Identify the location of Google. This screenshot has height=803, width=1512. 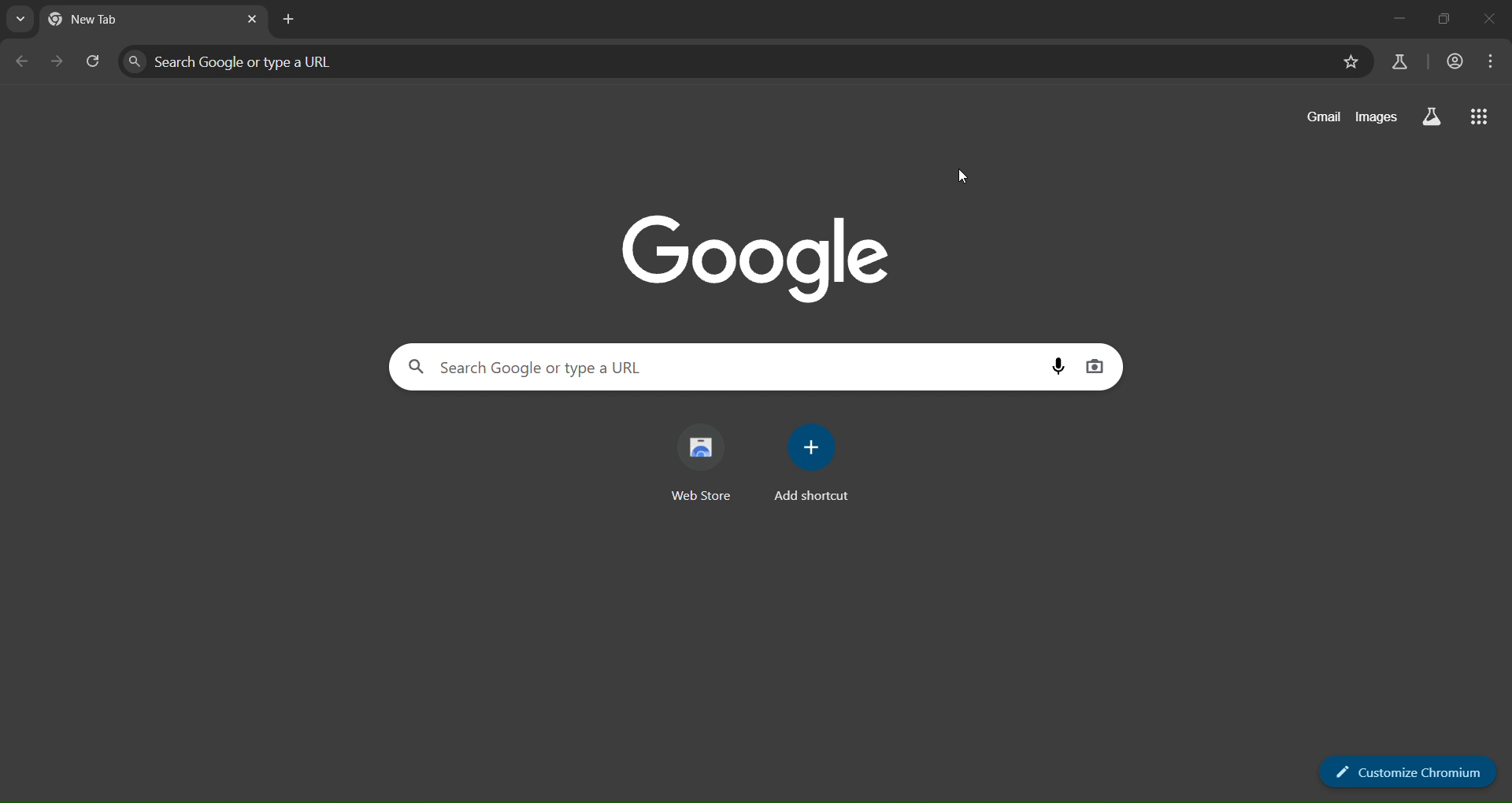
(757, 253).